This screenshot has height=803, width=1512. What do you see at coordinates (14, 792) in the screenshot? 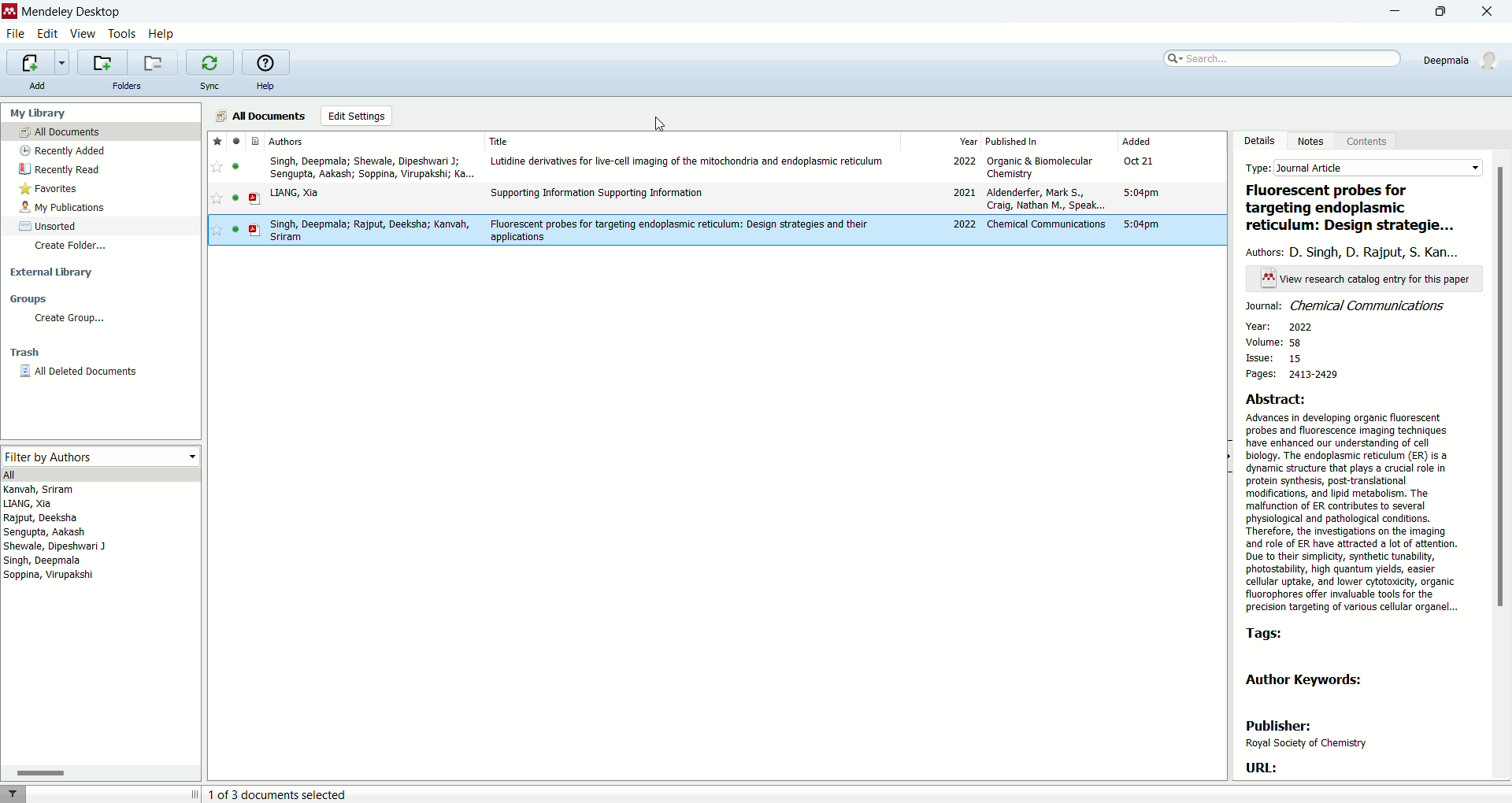
I see `filter` at bounding box center [14, 792].